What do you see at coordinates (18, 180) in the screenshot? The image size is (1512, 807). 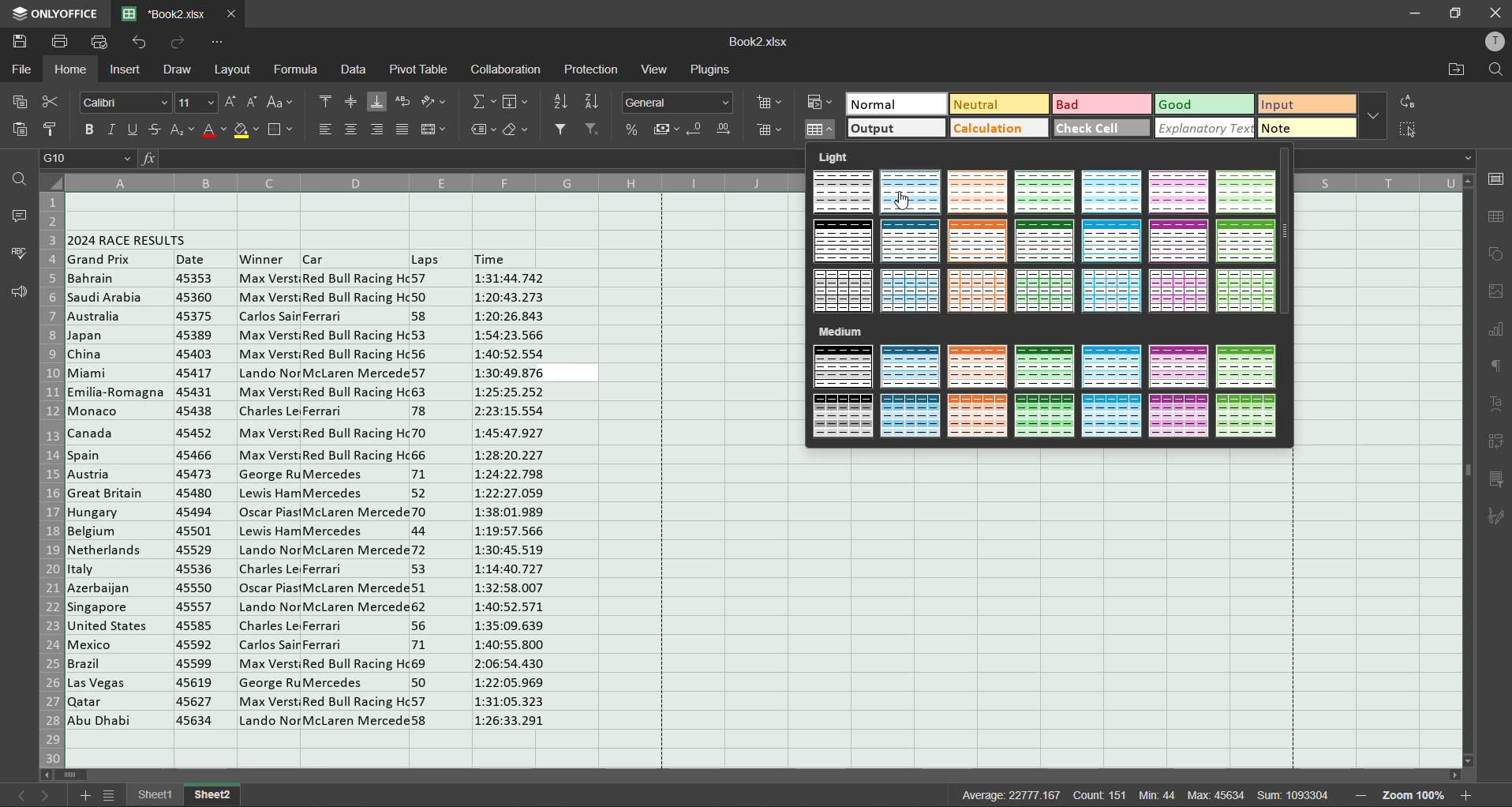 I see `find` at bounding box center [18, 180].